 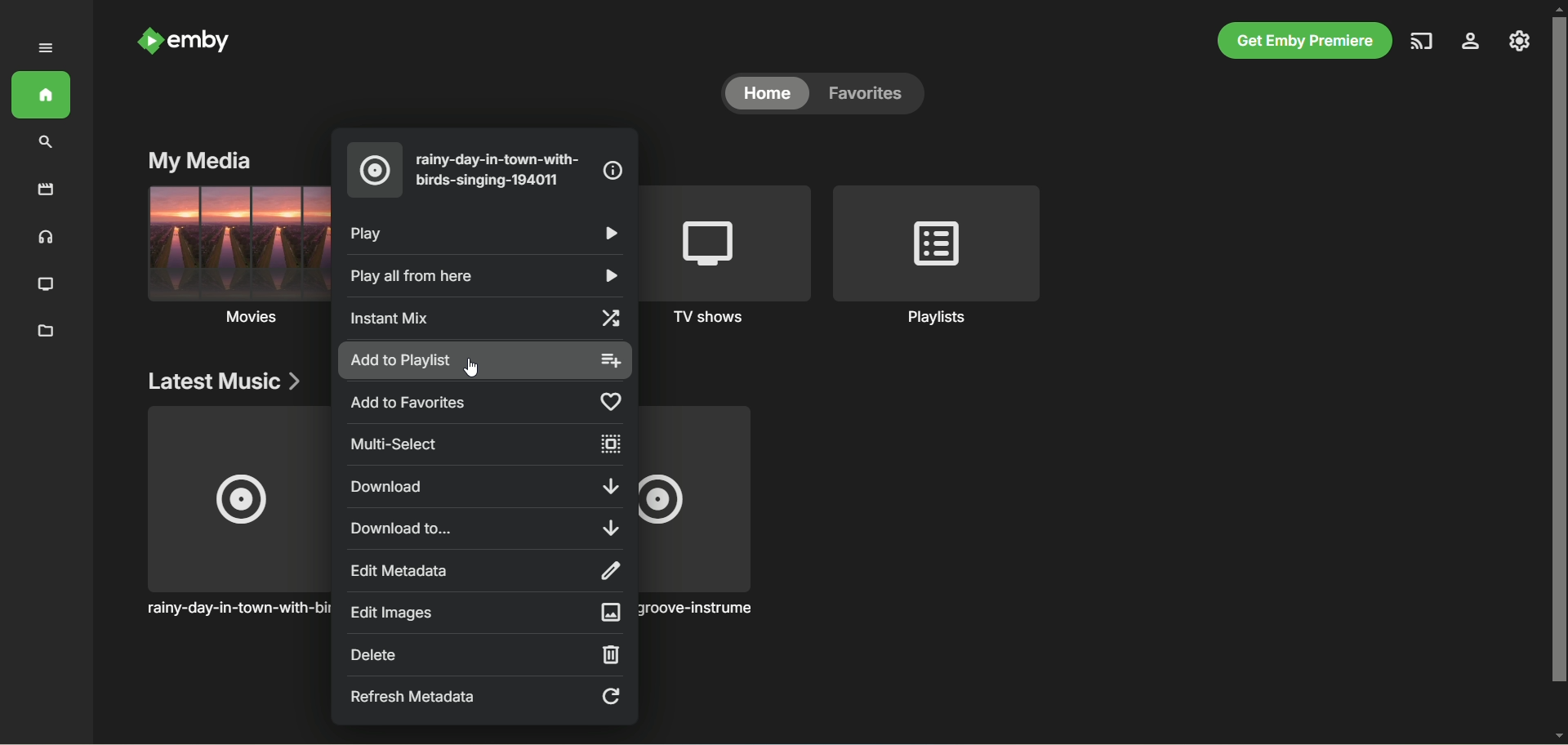 What do you see at coordinates (224, 381) in the screenshot?
I see `latest music` at bounding box center [224, 381].